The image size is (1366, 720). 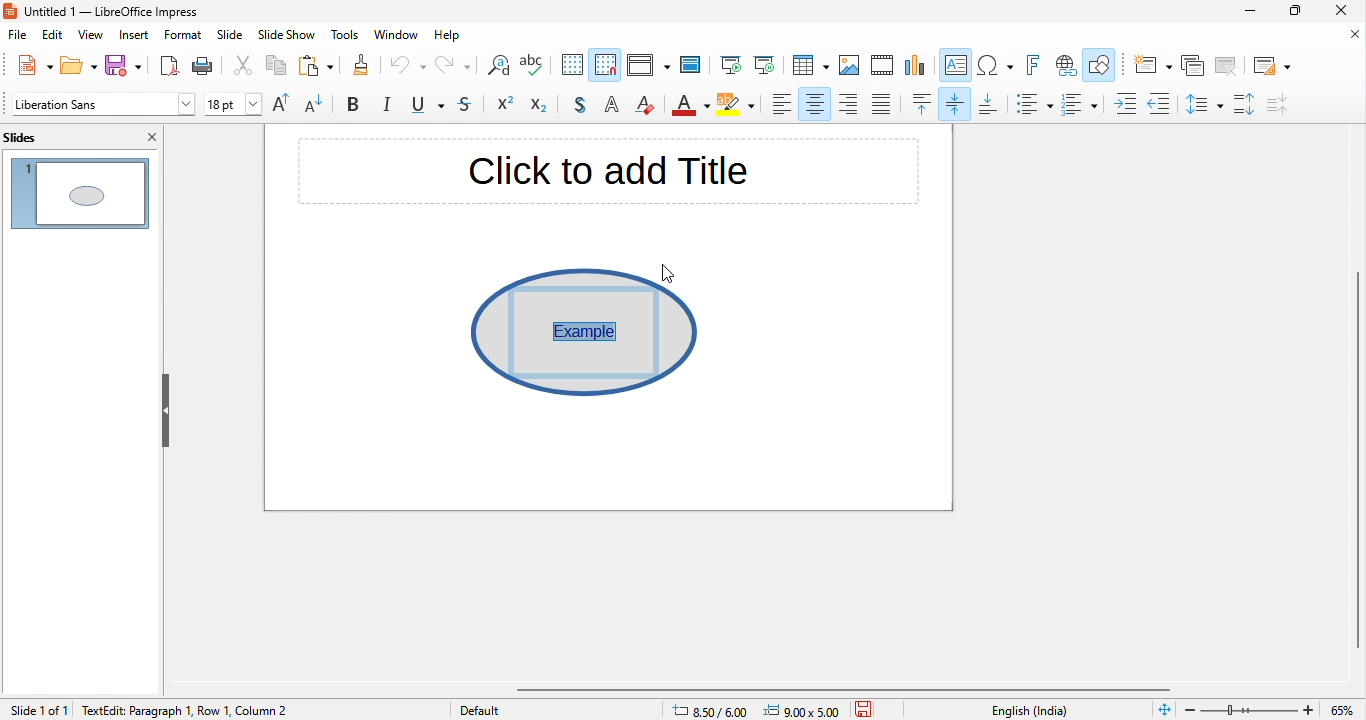 I want to click on strikethrough, so click(x=469, y=106).